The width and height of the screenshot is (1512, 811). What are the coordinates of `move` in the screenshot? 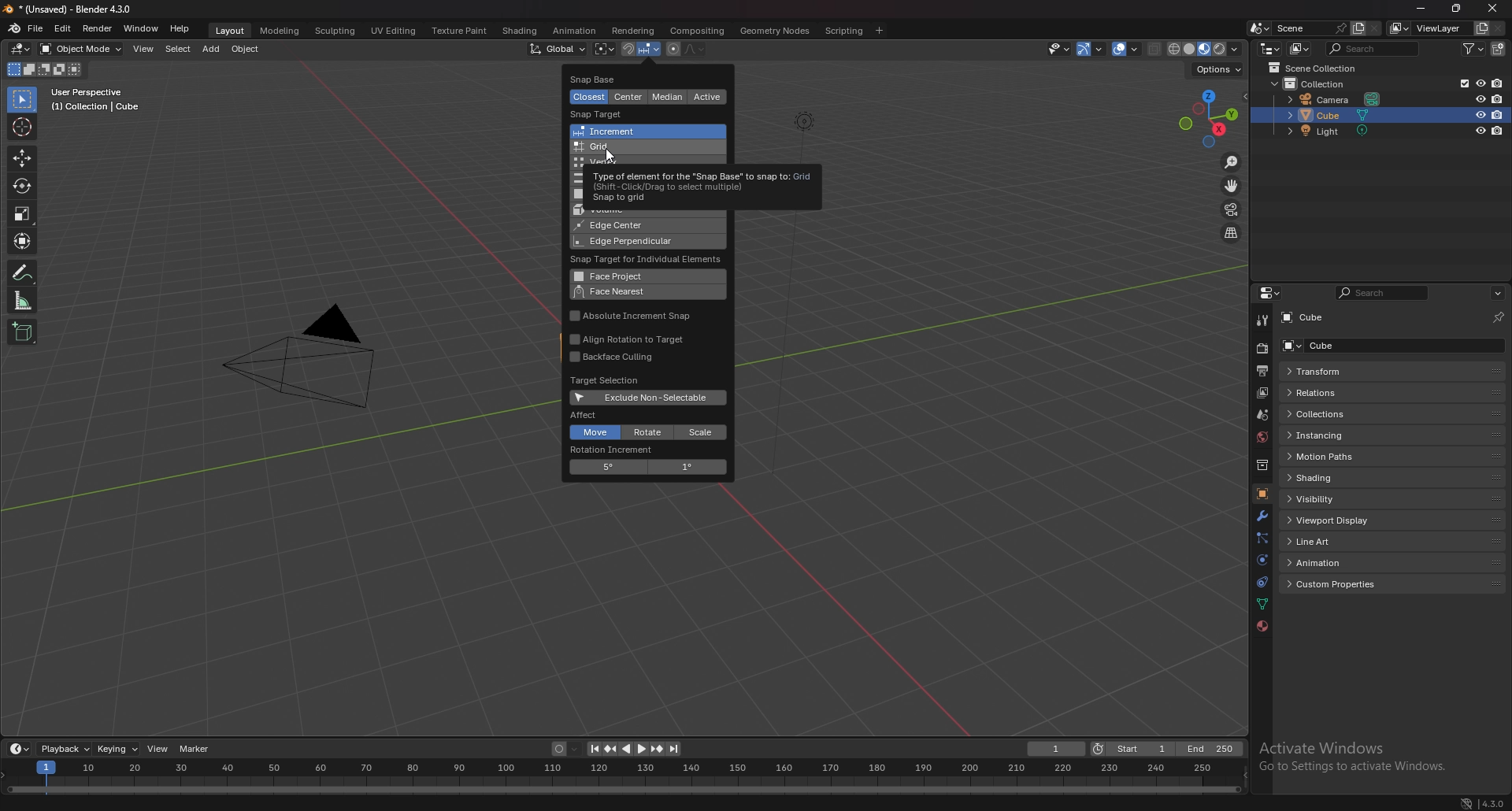 It's located at (22, 158).